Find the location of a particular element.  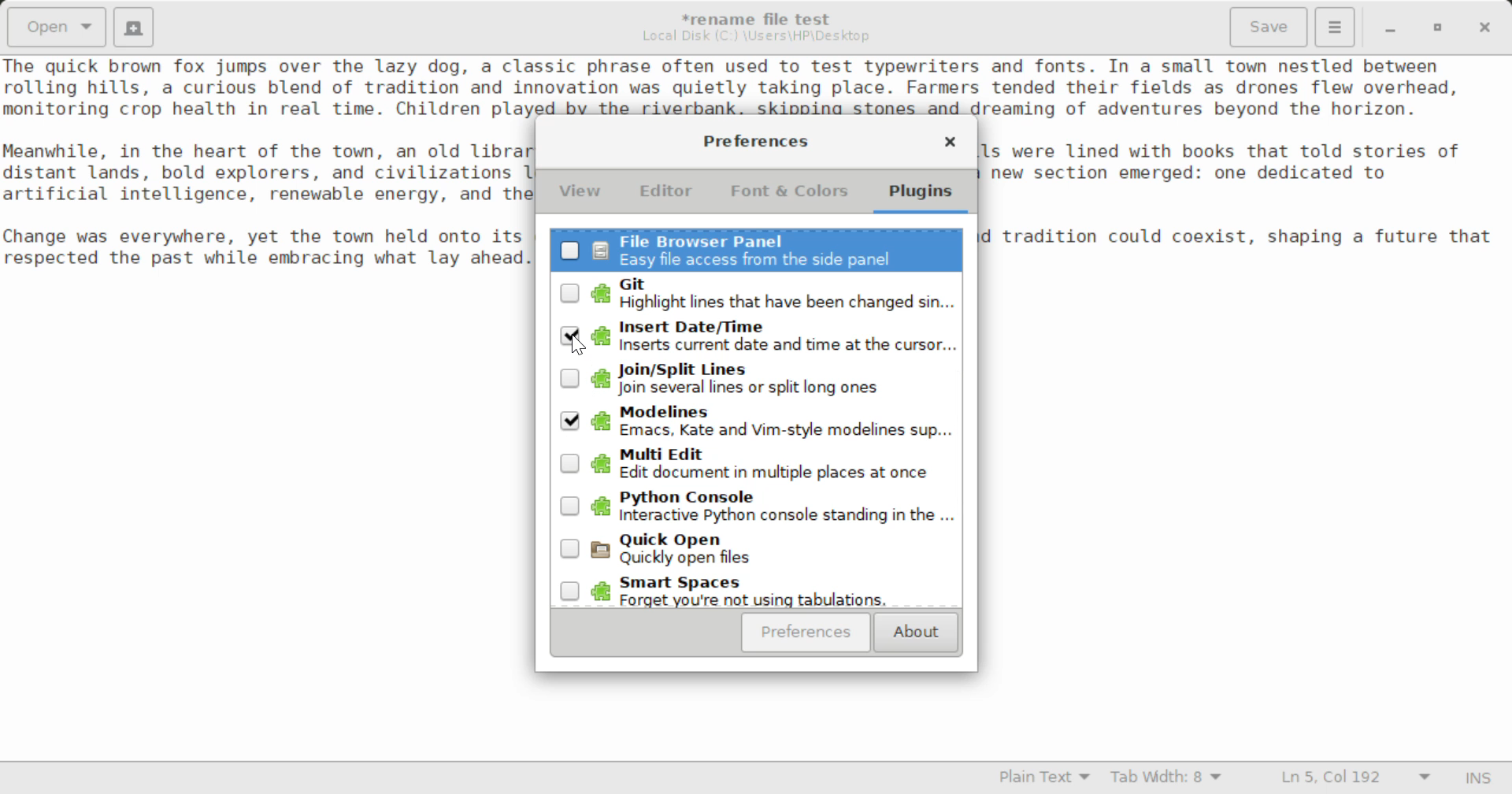

Menu is located at coordinates (1334, 25).